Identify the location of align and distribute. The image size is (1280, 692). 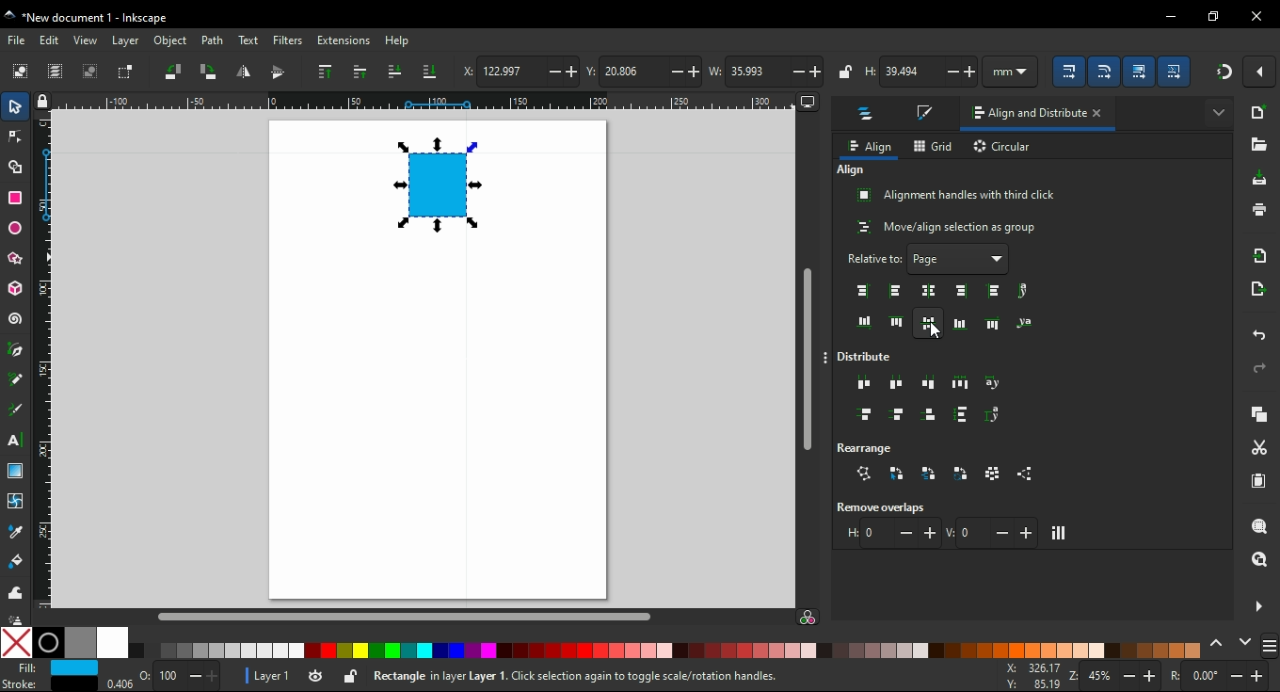
(1023, 117).